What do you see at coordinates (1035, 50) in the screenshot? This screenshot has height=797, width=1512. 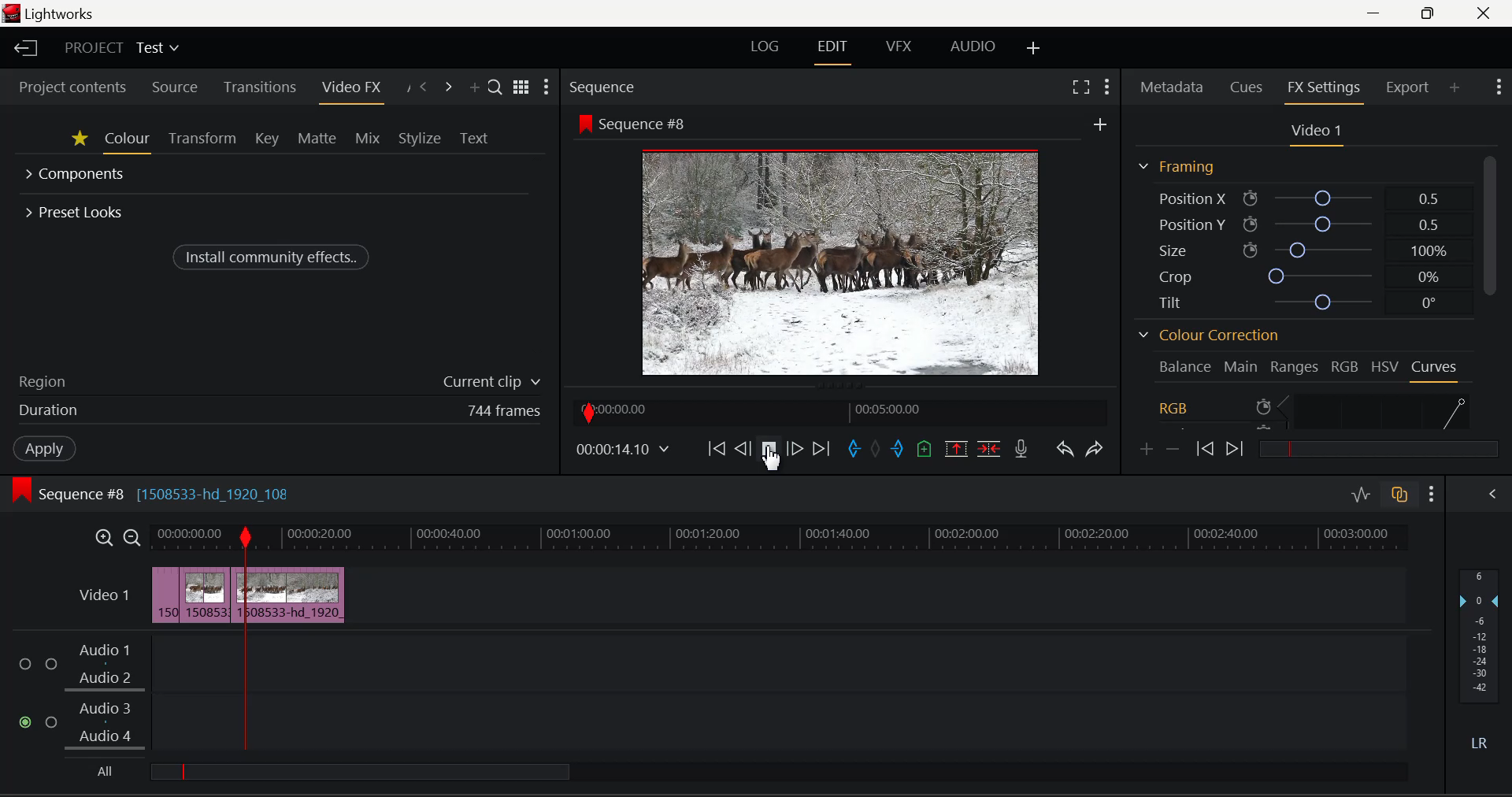 I see `Add Layout` at bounding box center [1035, 50].